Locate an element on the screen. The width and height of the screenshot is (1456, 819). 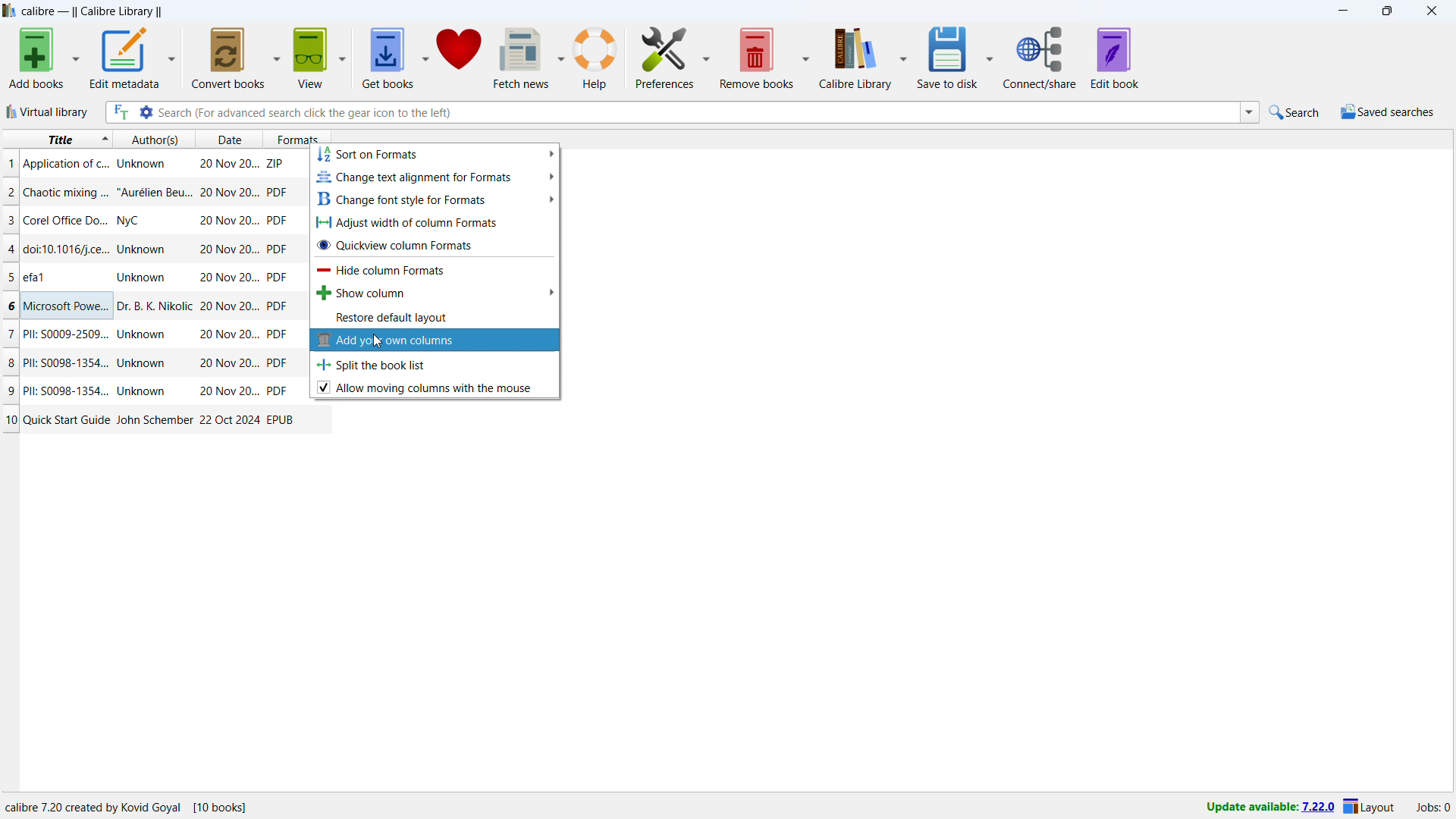
full text search is located at coordinates (118, 112).